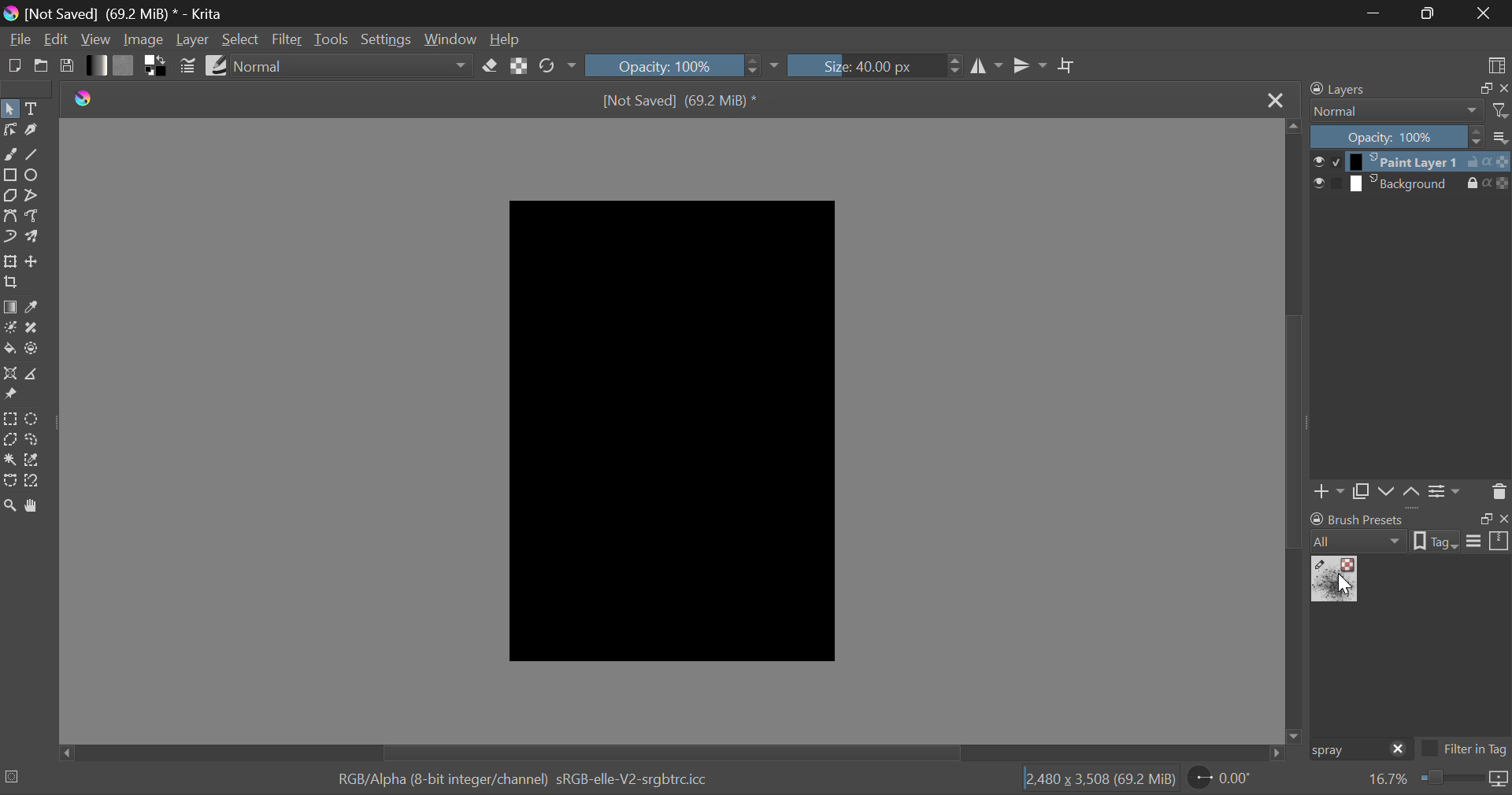 This screenshot has height=795, width=1512. Describe the element at coordinates (1488, 183) in the screenshot. I see `actions` at that location.